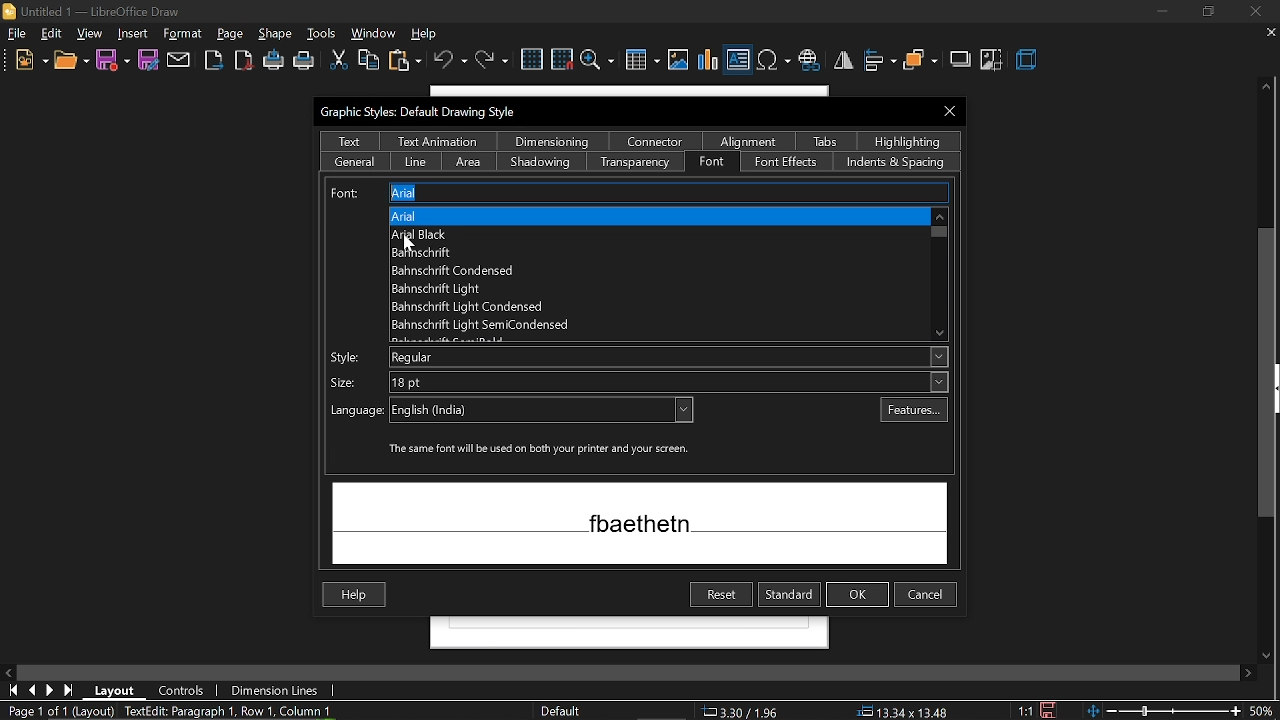 The width and height of the screenshot is (1280, 720). I want to click on shadow, so click(961, 60).